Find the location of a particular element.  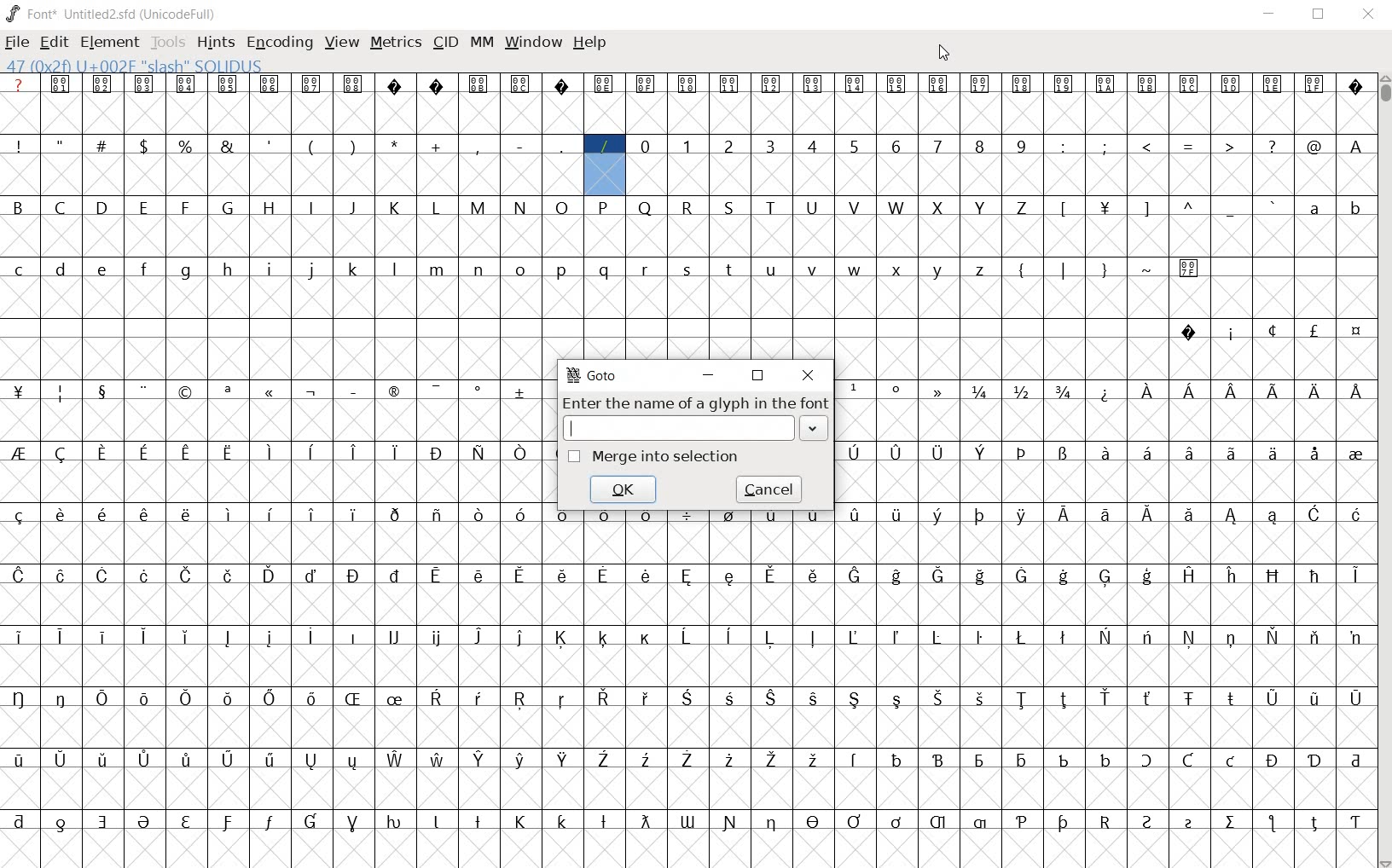

glyph is located at coordinates (645, 84).